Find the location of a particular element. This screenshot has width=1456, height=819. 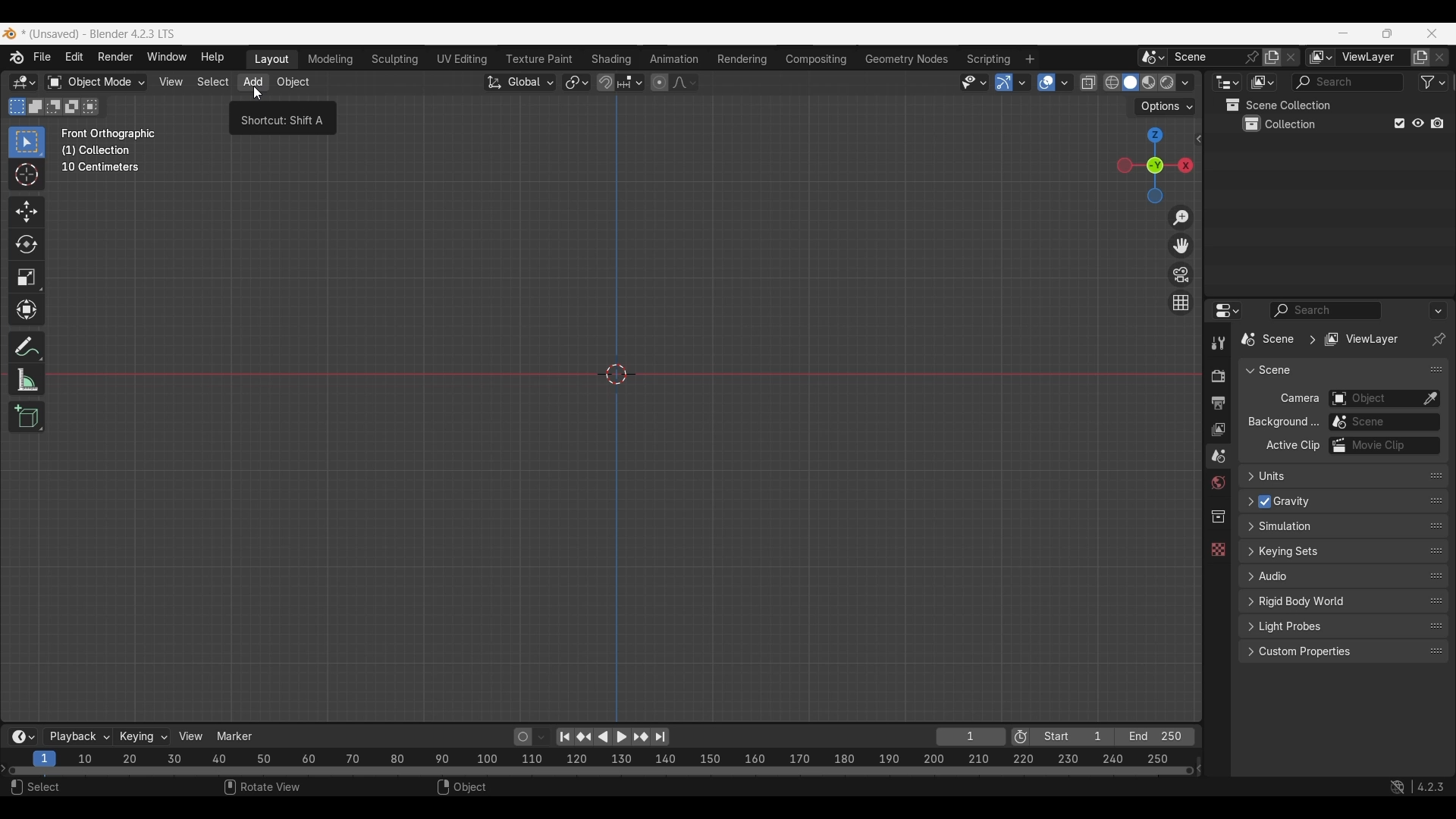

Measure is located at coordinates (27, 380).